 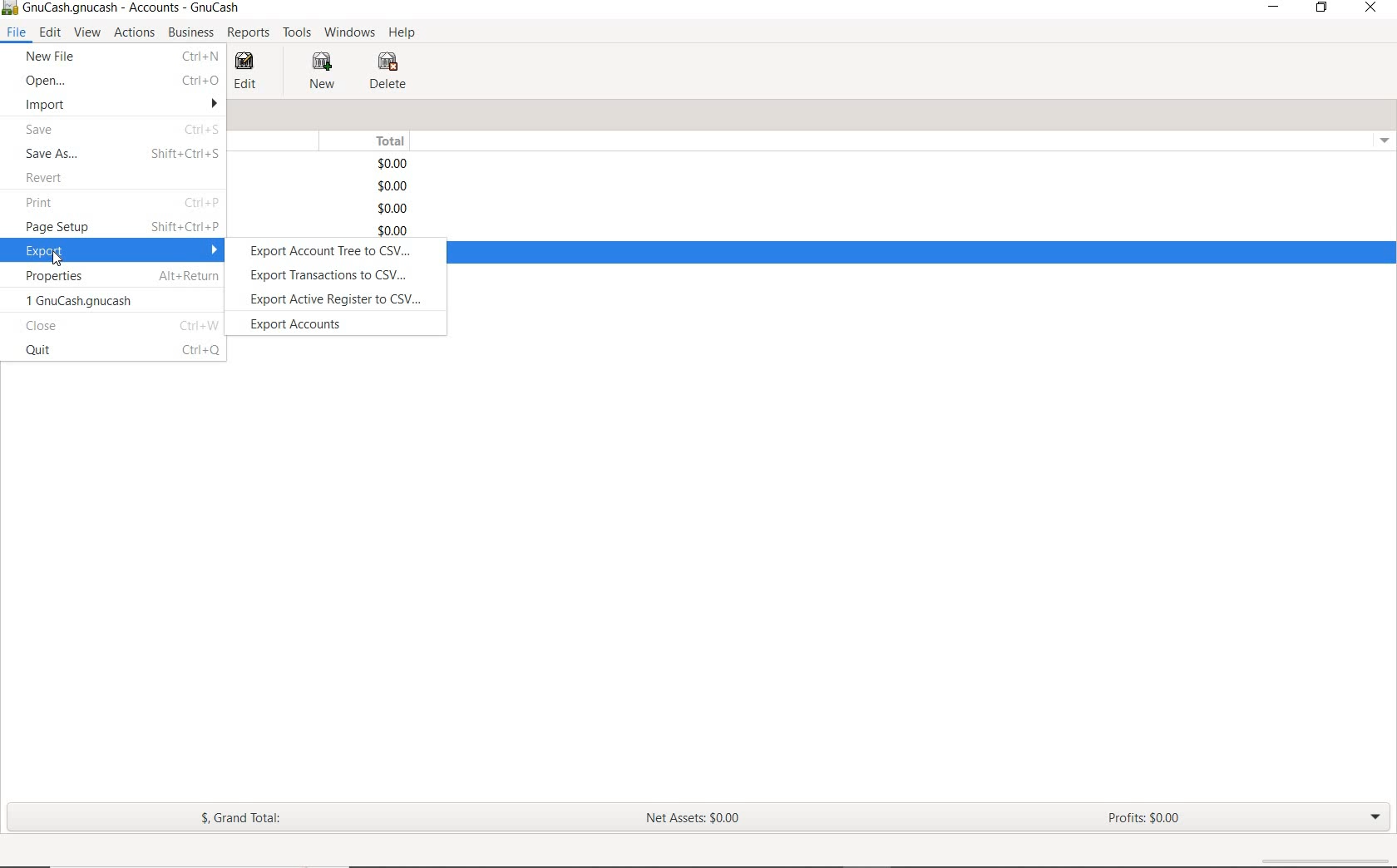 What do you see at coordinates (47, 105) in the screenshot?
I see `IMPORT` at bounding box center [47, 105].